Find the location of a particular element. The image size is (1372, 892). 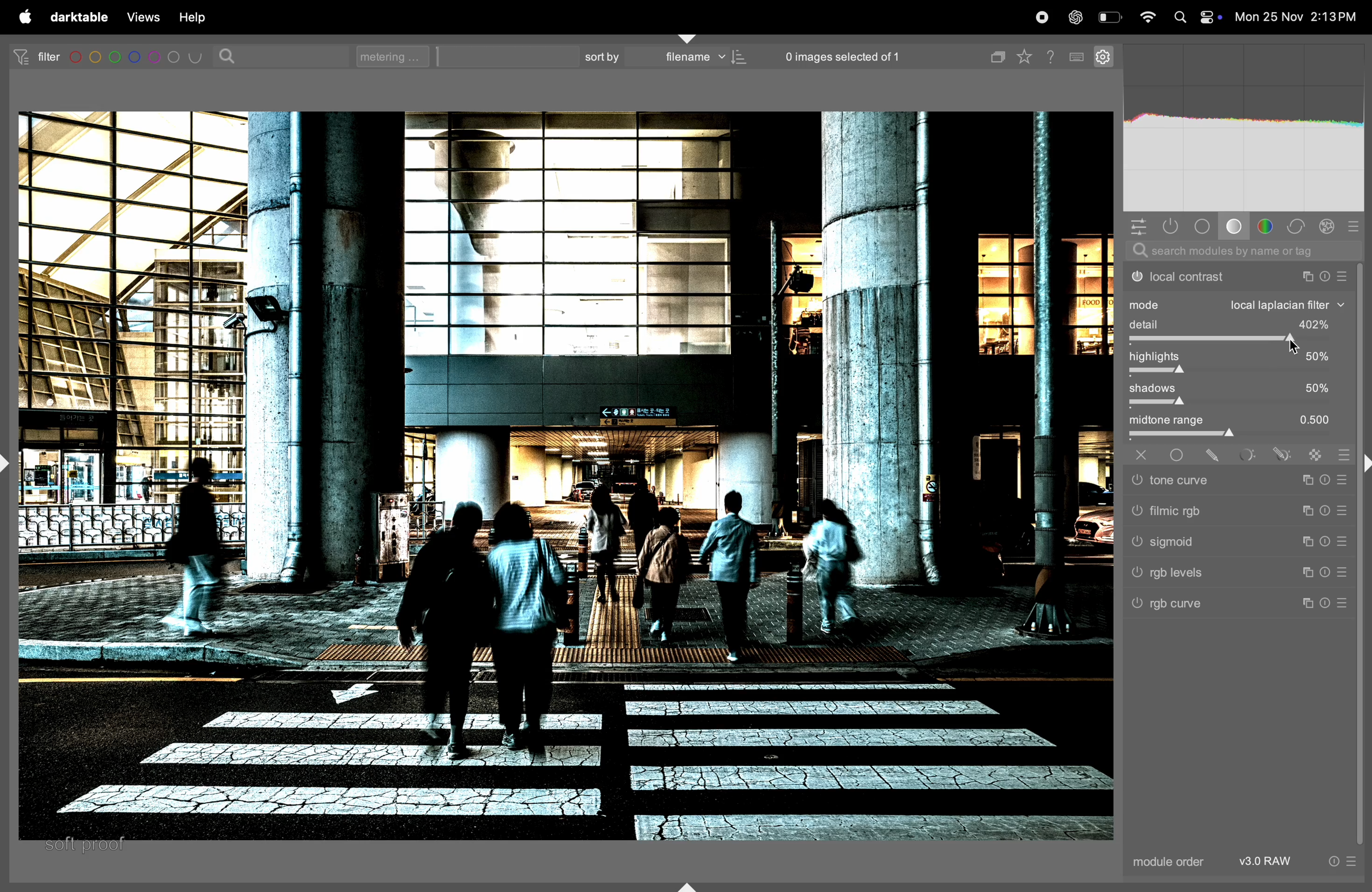

filmic rgb is located at coordinates (1232, 511).